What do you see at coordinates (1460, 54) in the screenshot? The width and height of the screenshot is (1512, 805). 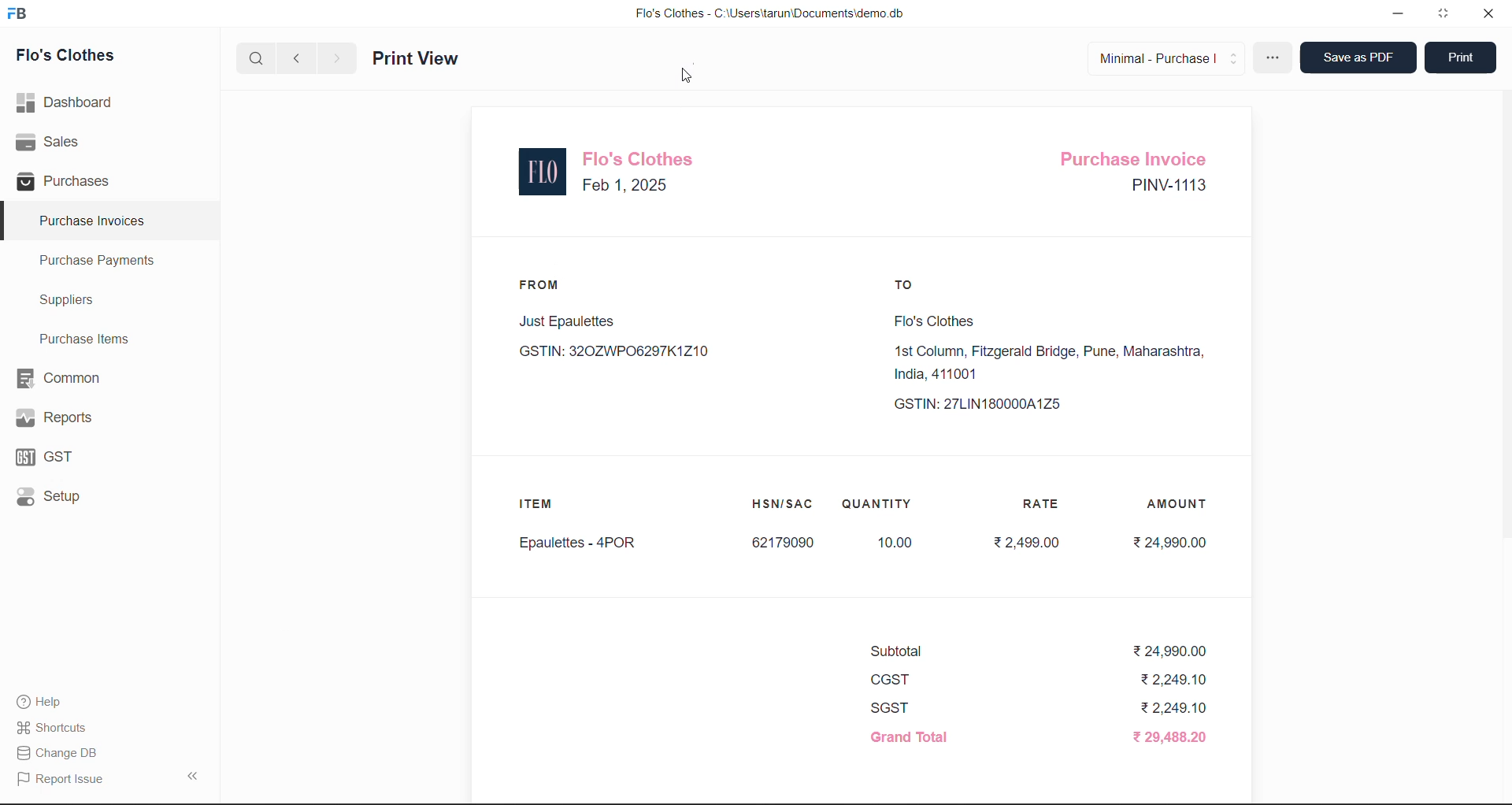 I see `Print` at bounding box center [1460, 54].